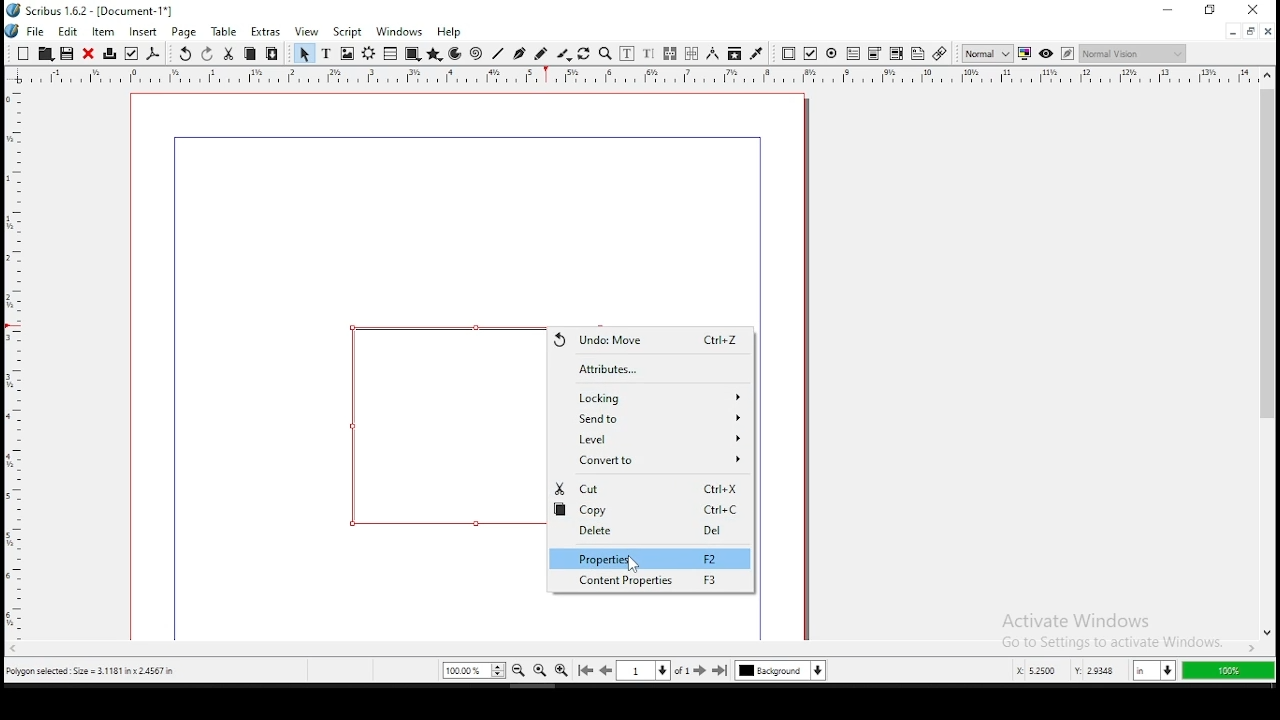  Describe the element at coordinates (183, 32) in the screenshot. I see `page` at that location.